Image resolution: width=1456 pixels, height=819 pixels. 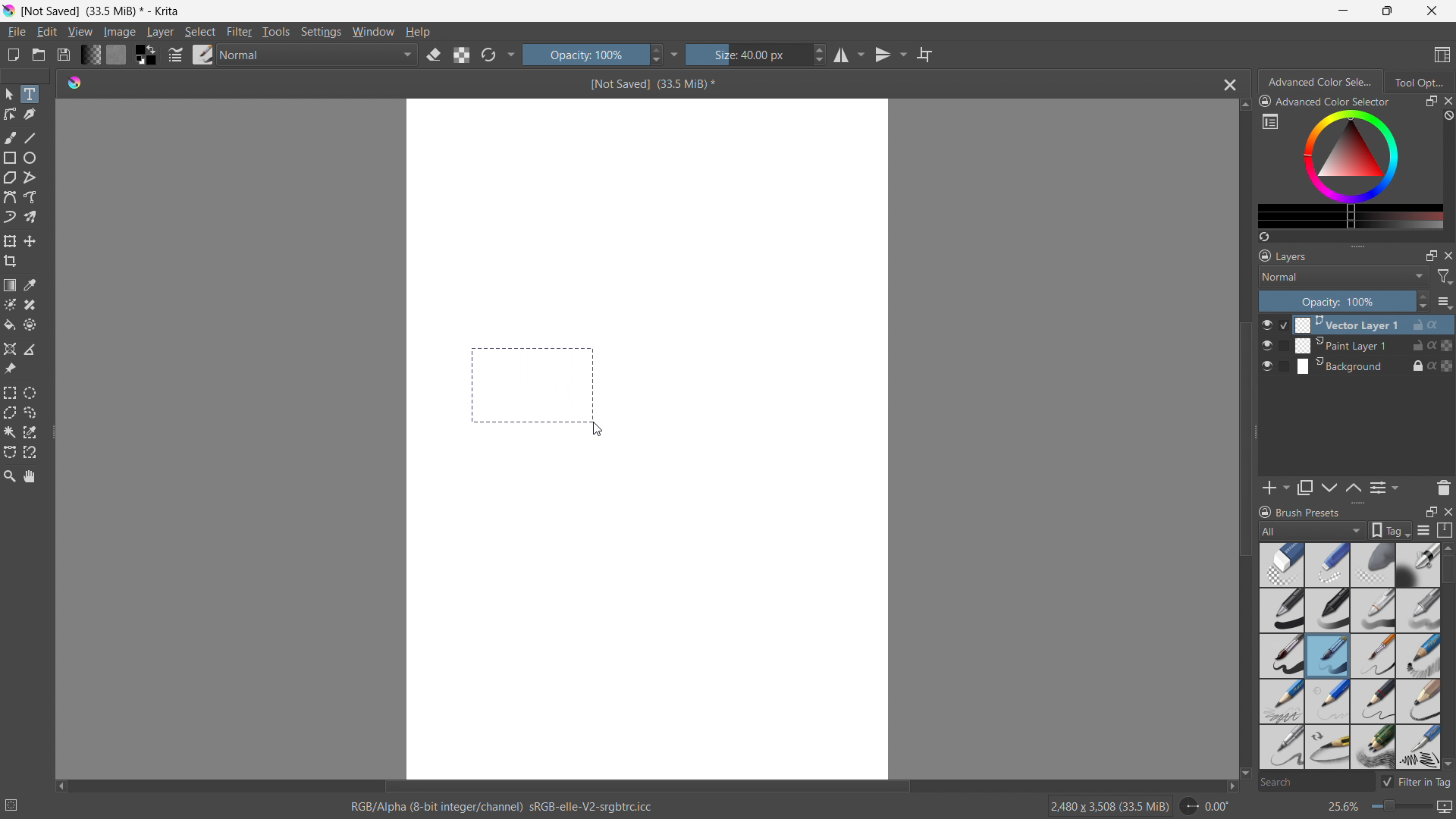 I want to click on view, so click(x=80, y=32).